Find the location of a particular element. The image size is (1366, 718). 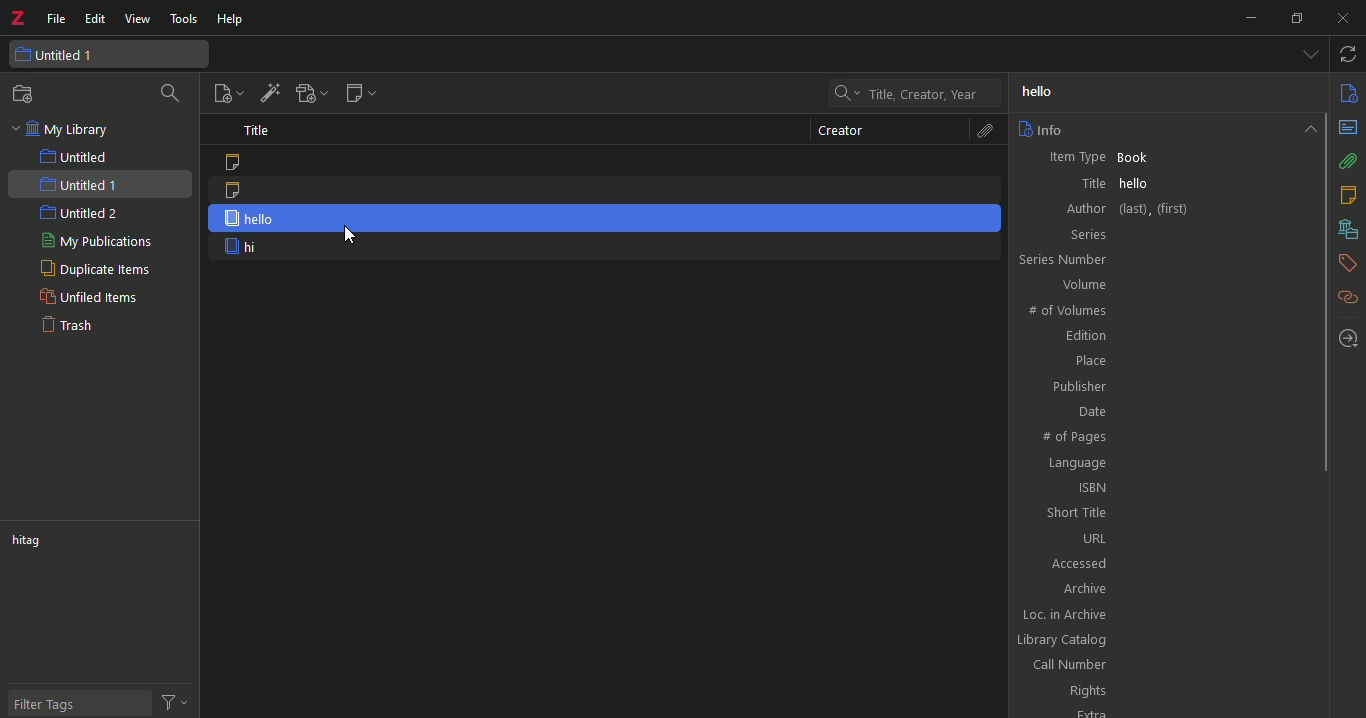

tag is located at coordinates (33, 542).